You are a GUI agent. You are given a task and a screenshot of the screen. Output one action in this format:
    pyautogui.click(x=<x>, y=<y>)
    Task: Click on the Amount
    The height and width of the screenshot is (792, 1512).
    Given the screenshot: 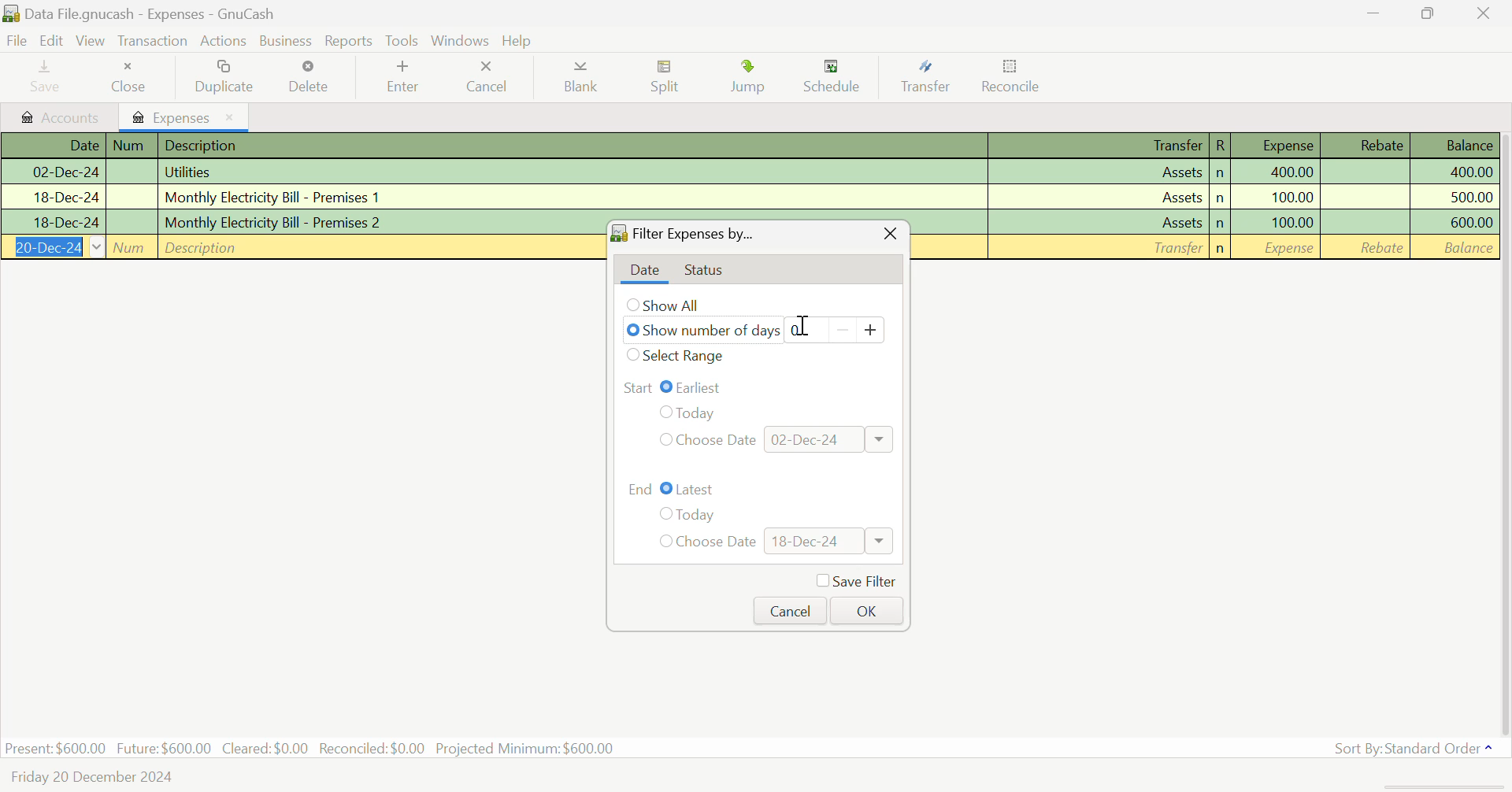 What is the action you would take?
    pyautogui.click(x=1291, y=222)
    